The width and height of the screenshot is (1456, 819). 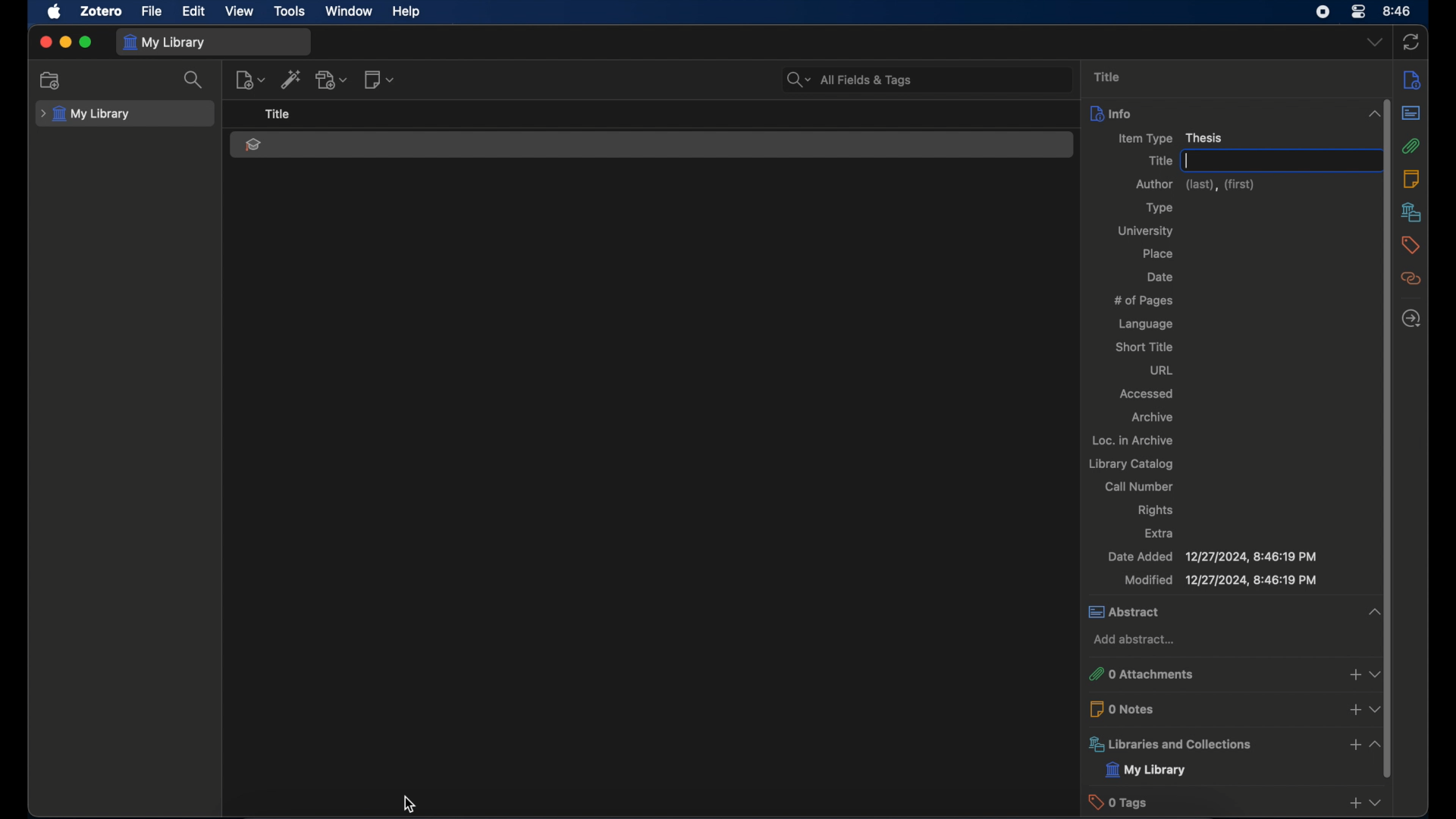 I want to click on screen recorder, so click(x=1323, y=11).